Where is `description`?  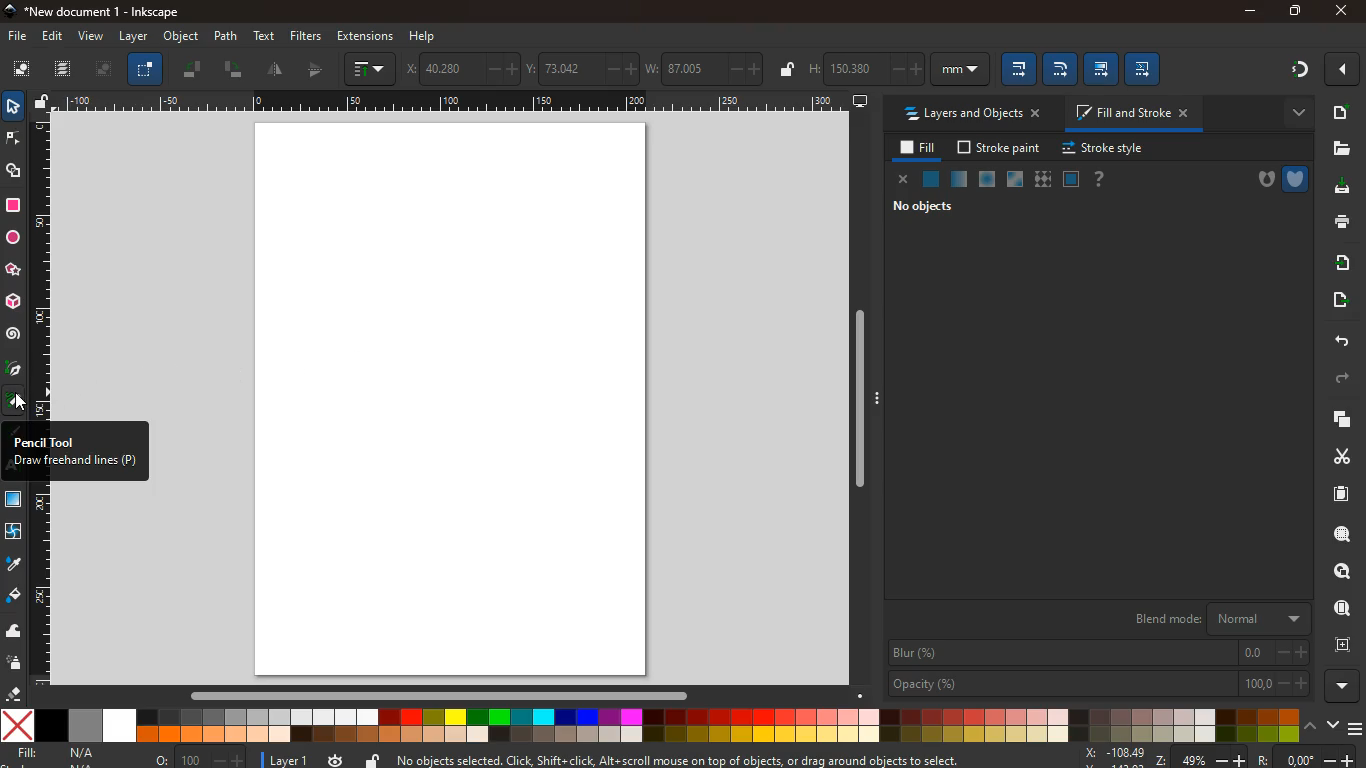 description is located at coordinates (77, 450).